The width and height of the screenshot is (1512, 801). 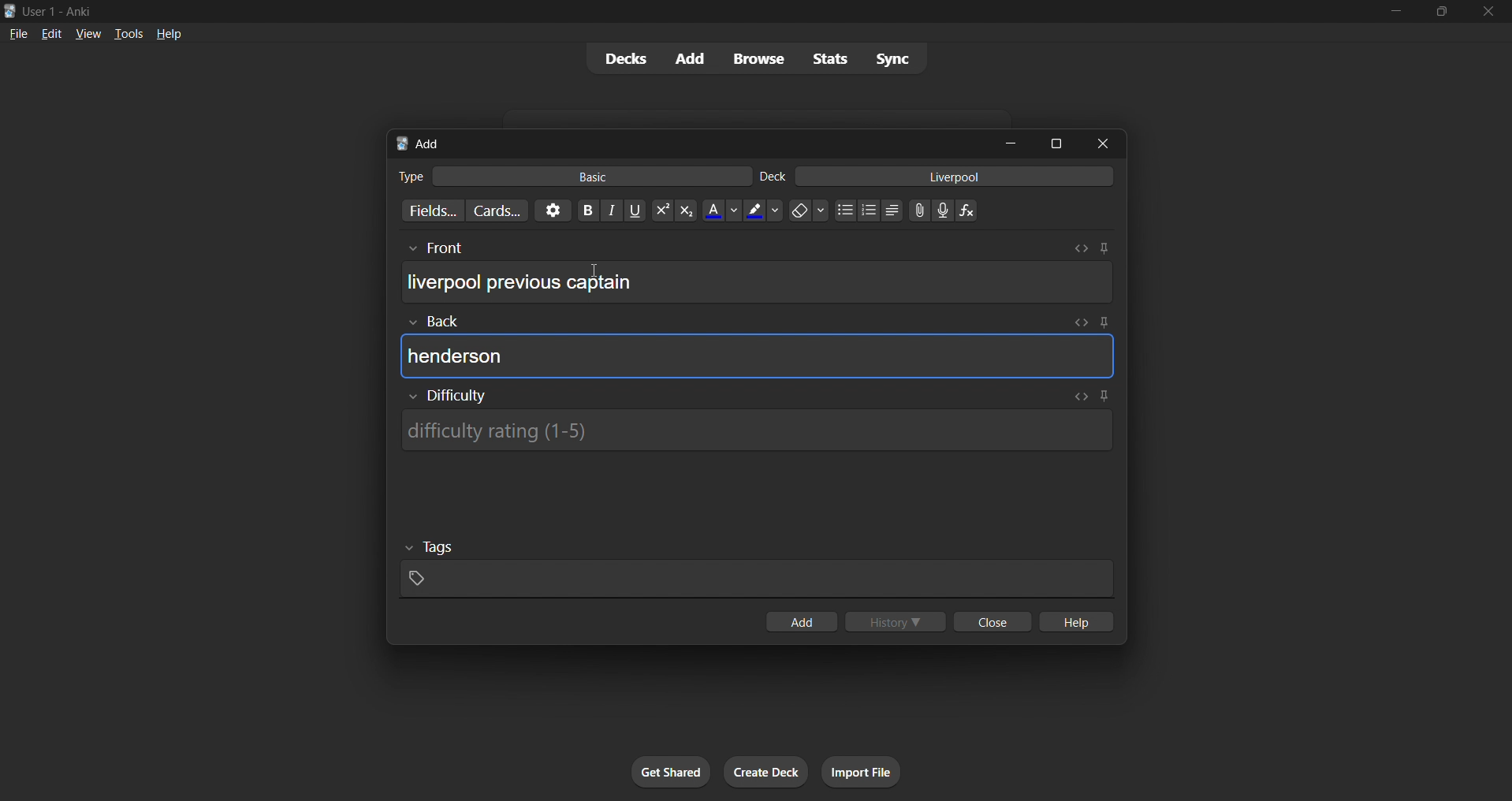 I want to click on font color, so click(x=717, y=209).